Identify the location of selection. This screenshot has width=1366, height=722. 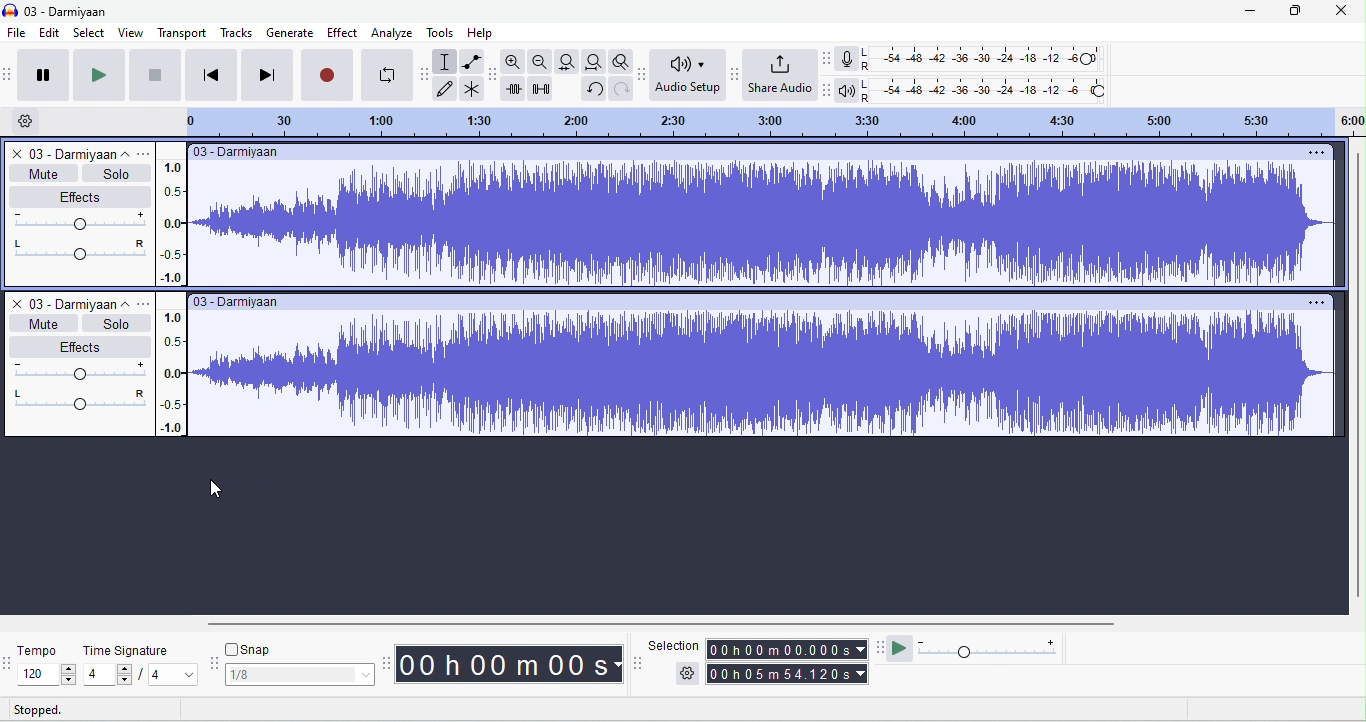
(442, 60).